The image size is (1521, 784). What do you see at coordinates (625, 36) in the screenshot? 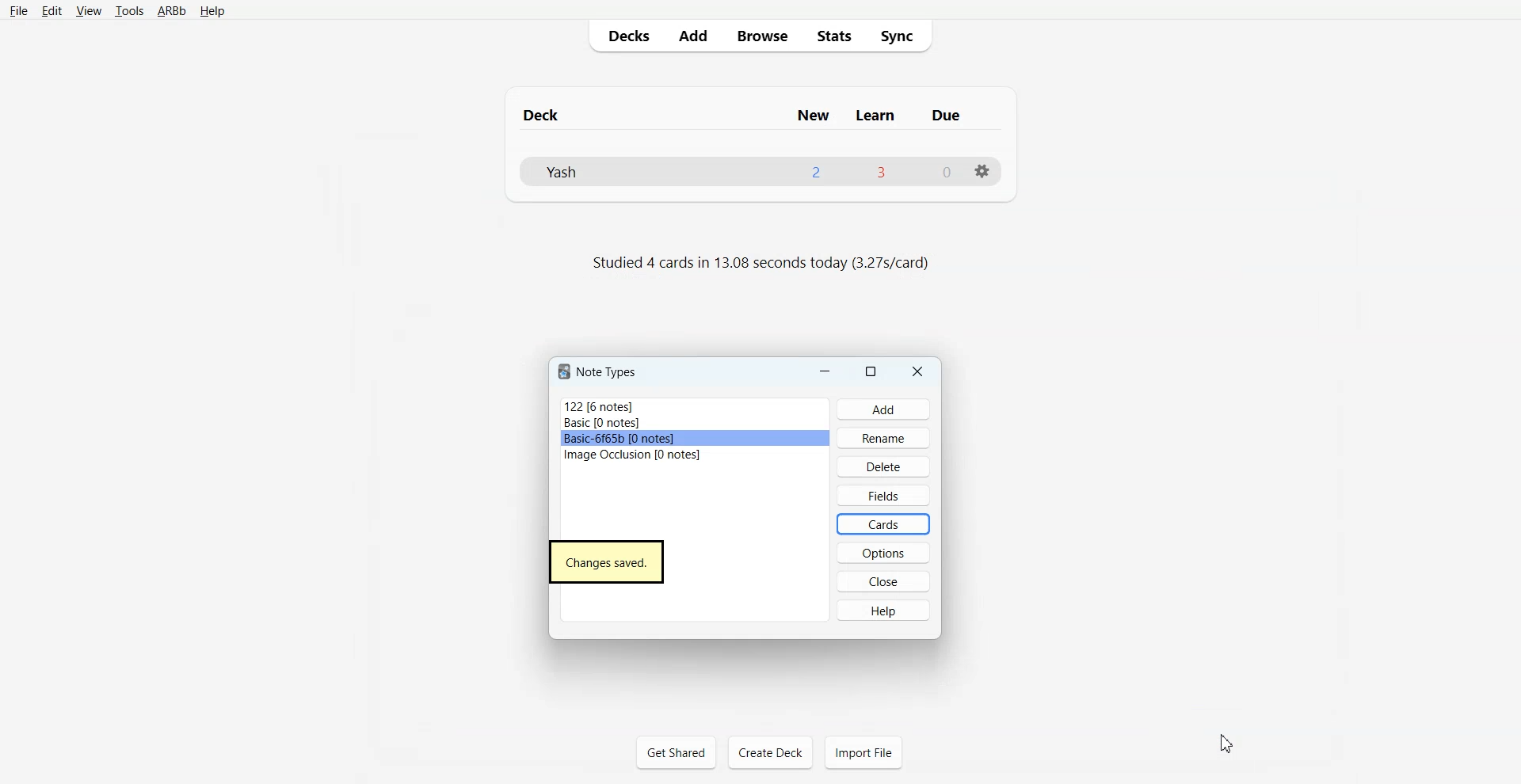
I see `Decks` at bounding box center [625, 36].